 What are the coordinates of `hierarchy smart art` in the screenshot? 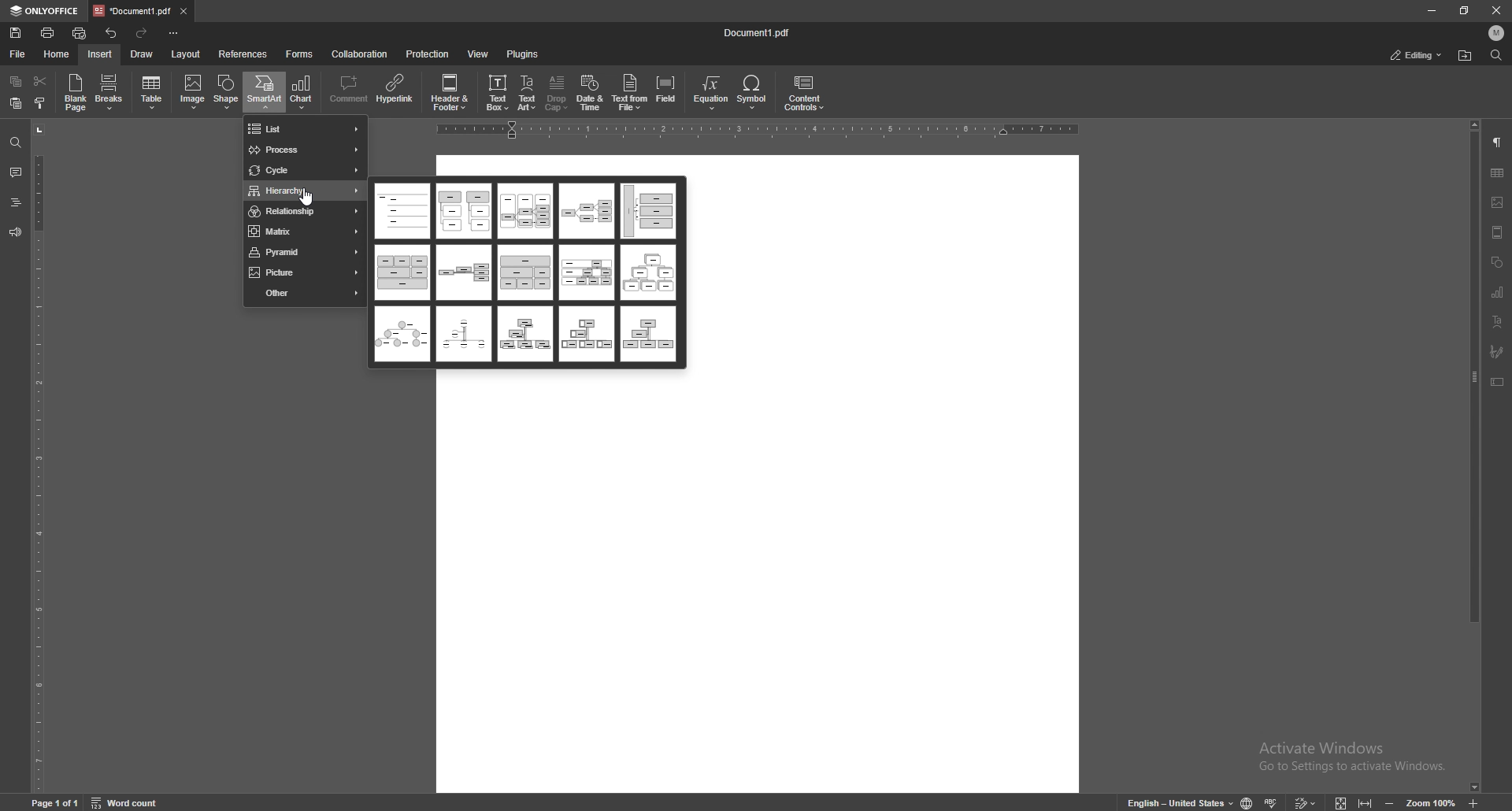 It's located at (463, 333).